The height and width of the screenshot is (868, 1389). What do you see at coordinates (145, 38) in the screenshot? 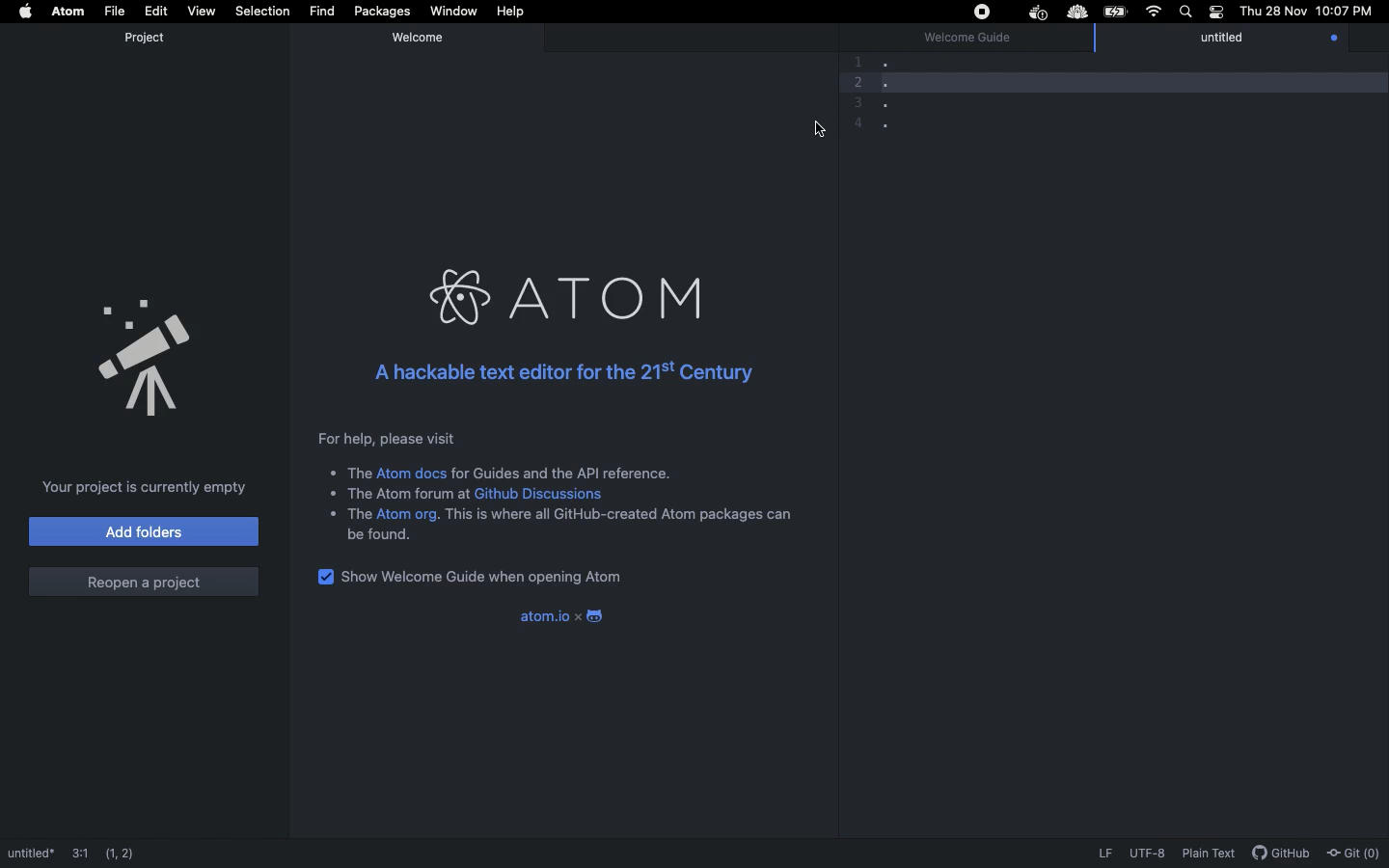
I see `Project` at bounding box center [145, 38].